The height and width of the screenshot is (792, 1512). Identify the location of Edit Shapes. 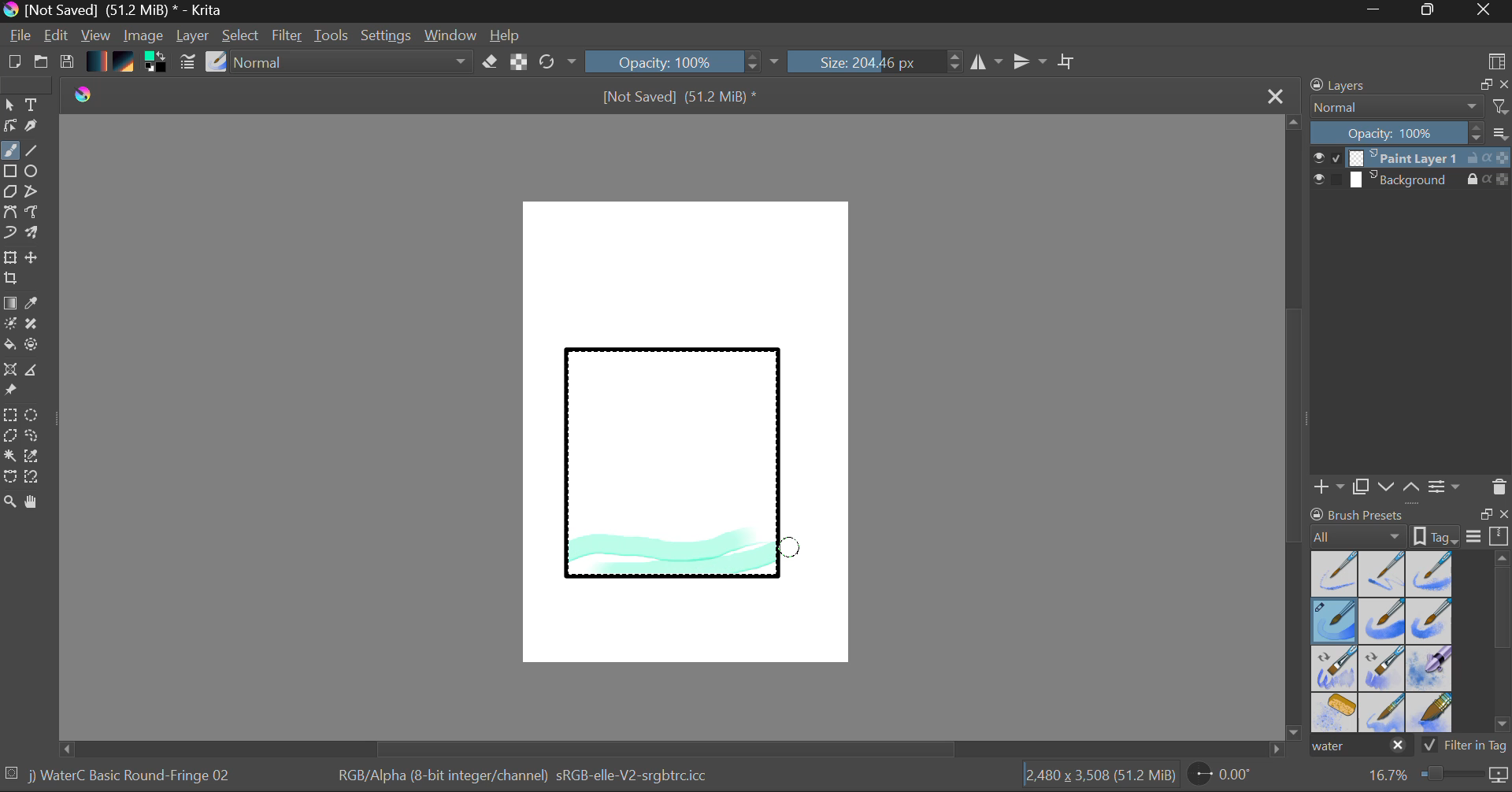
(9, 128).